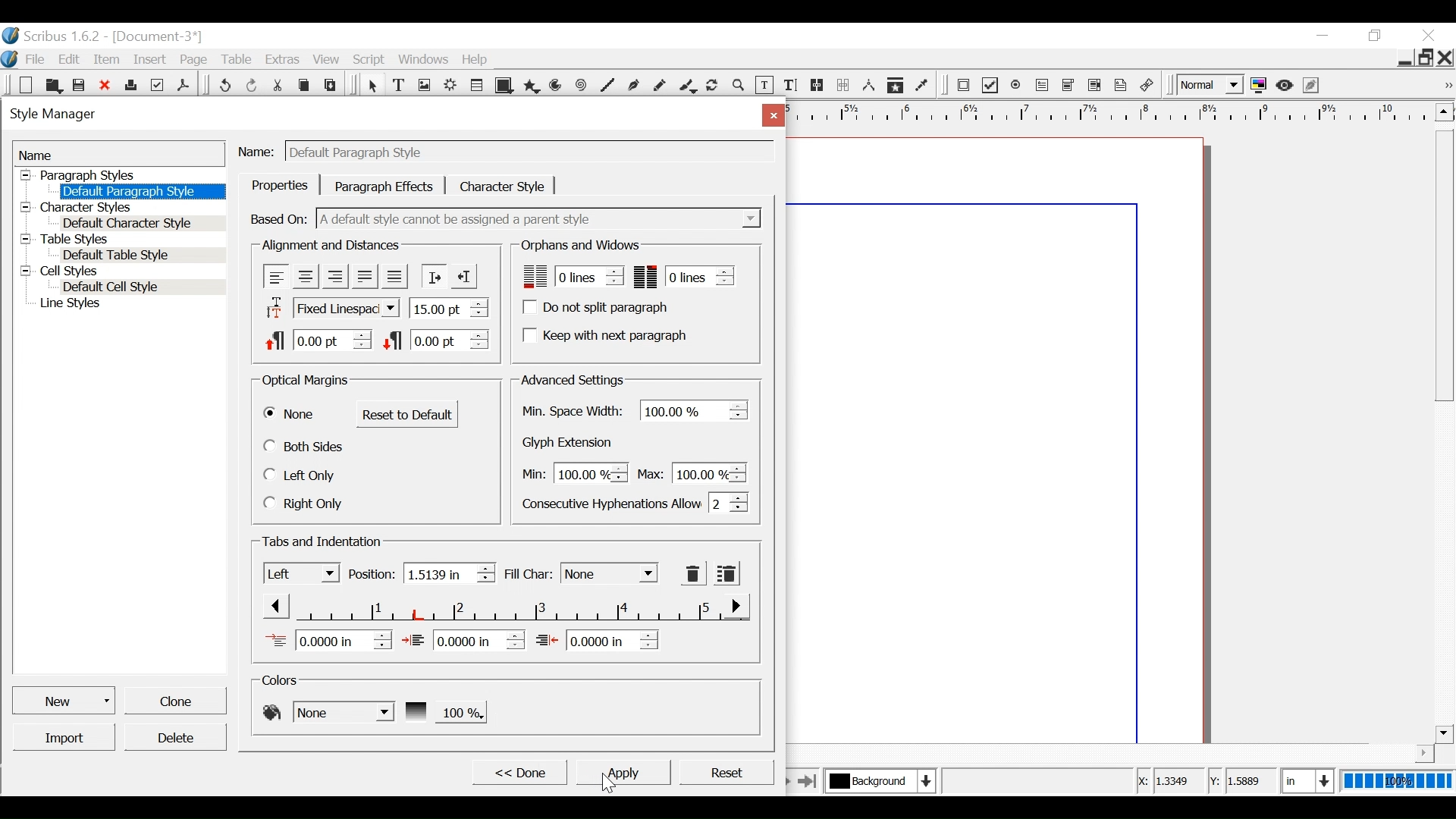 This screenshot has width=1456, height=819. Describe the element at coordinates (65, 699) in the screenshot. I see `New` at that location.